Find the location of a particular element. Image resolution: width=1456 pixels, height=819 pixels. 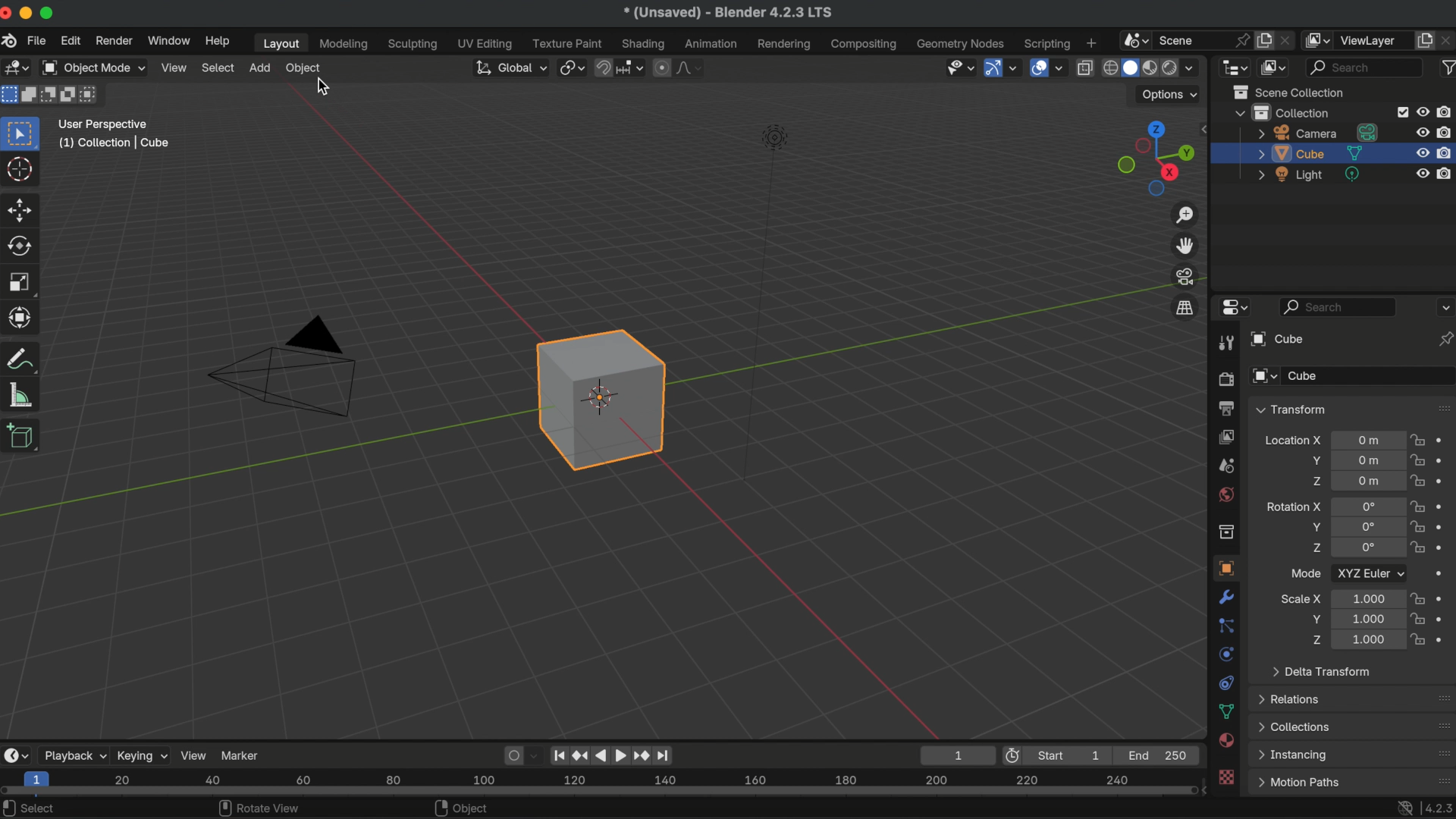

add view layer is located at coordinates (1425, 39).